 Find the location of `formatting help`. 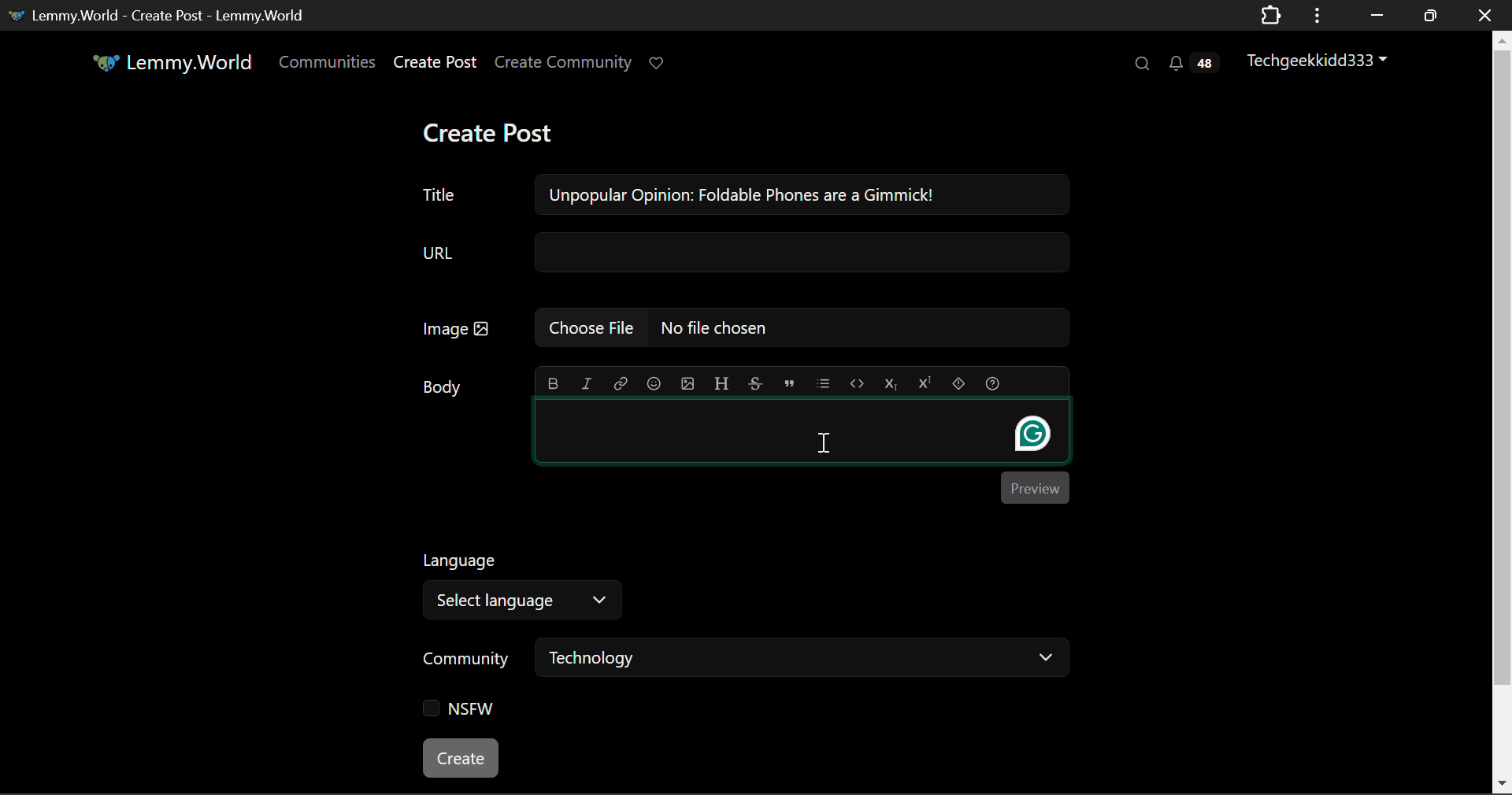

formatting help is located at coordinates (991, 381).